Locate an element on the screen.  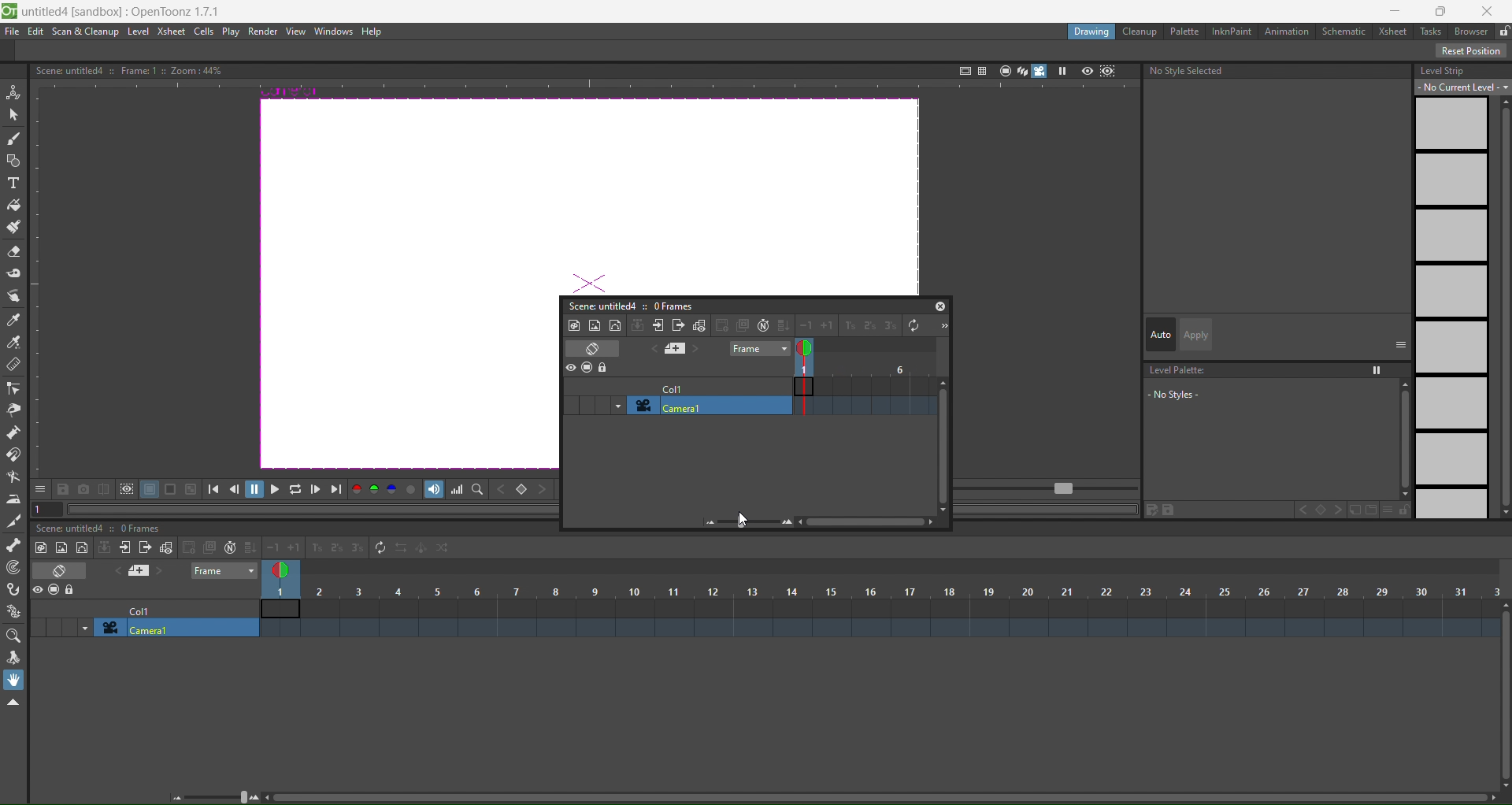
 is located at coordinates (782, 327).